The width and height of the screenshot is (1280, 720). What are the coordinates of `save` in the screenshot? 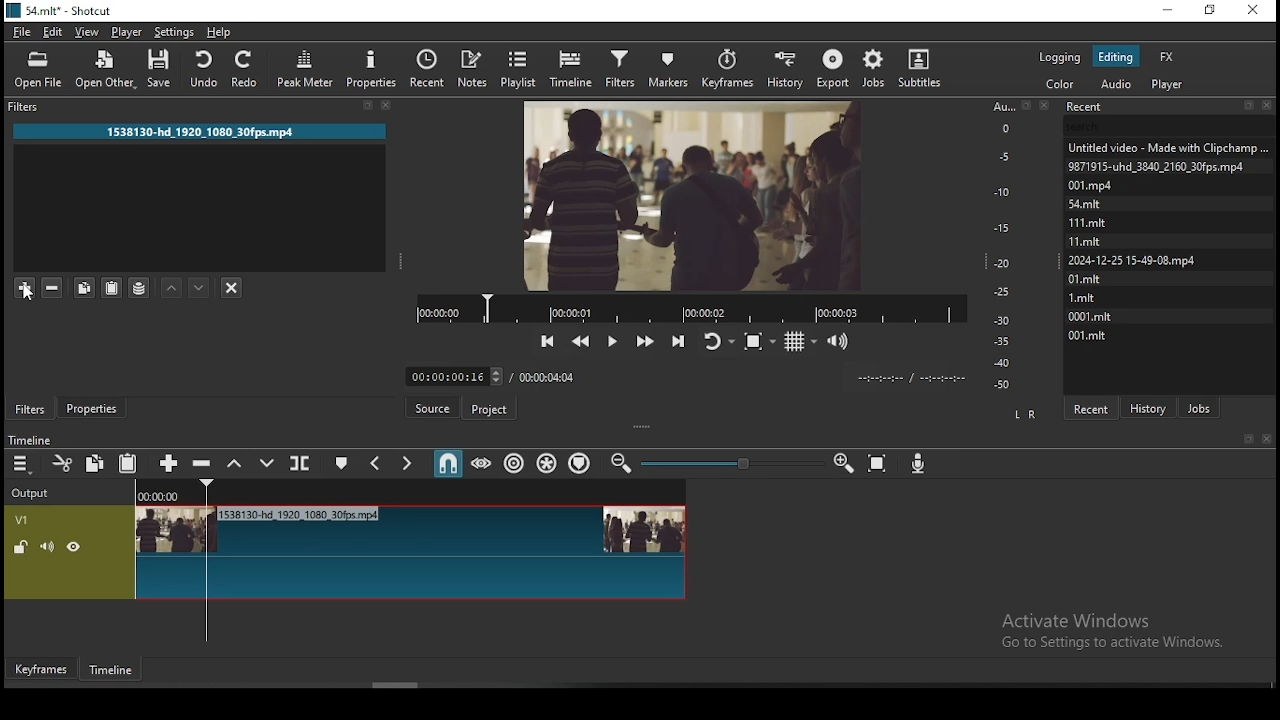 It's located at (165, 72).